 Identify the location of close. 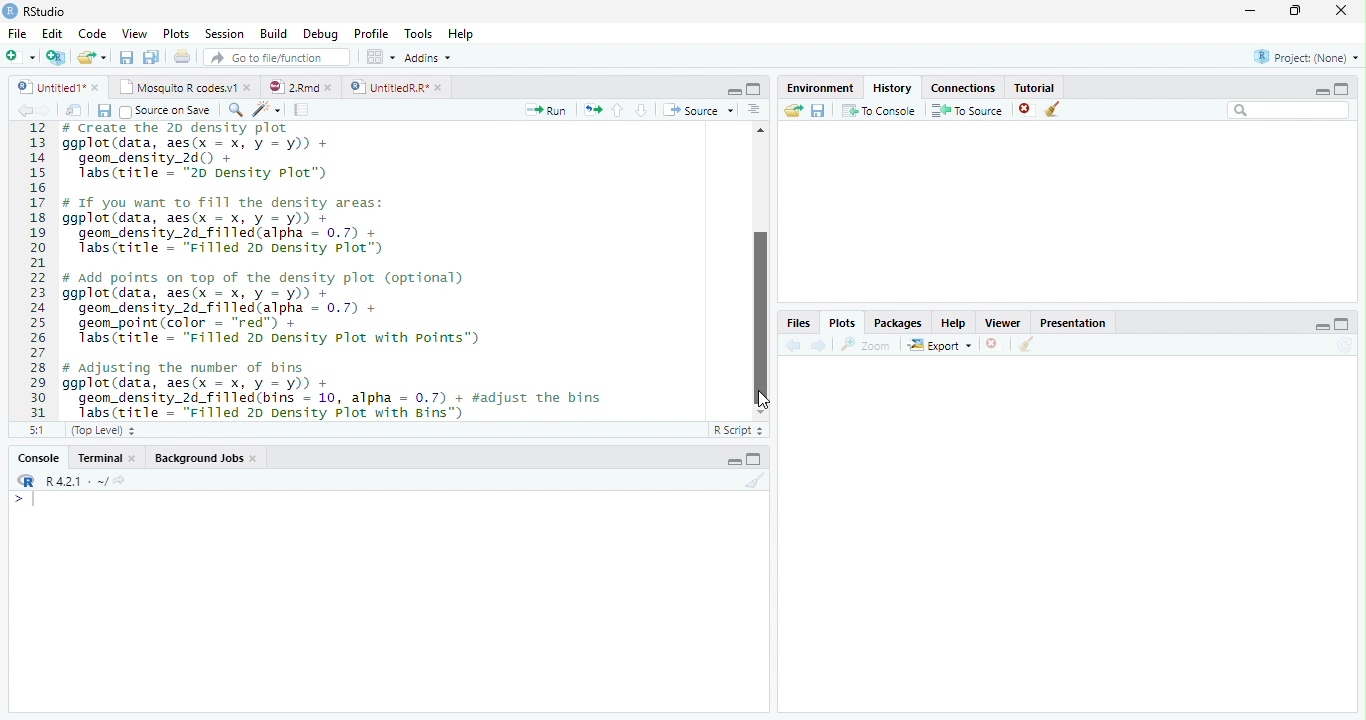
(332, 87).